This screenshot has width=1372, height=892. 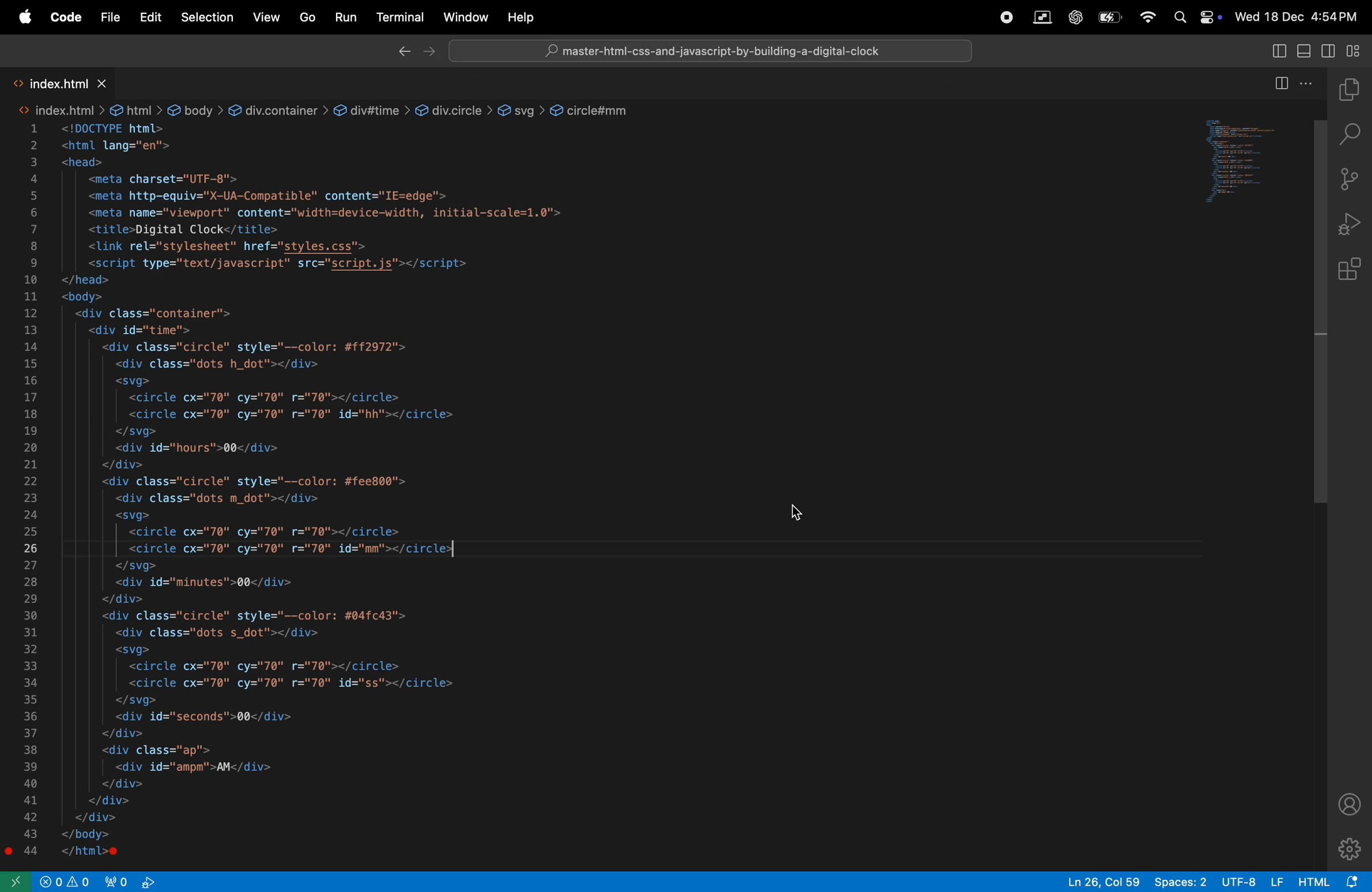 I want to click on profile, so click(x=1350, y=803).